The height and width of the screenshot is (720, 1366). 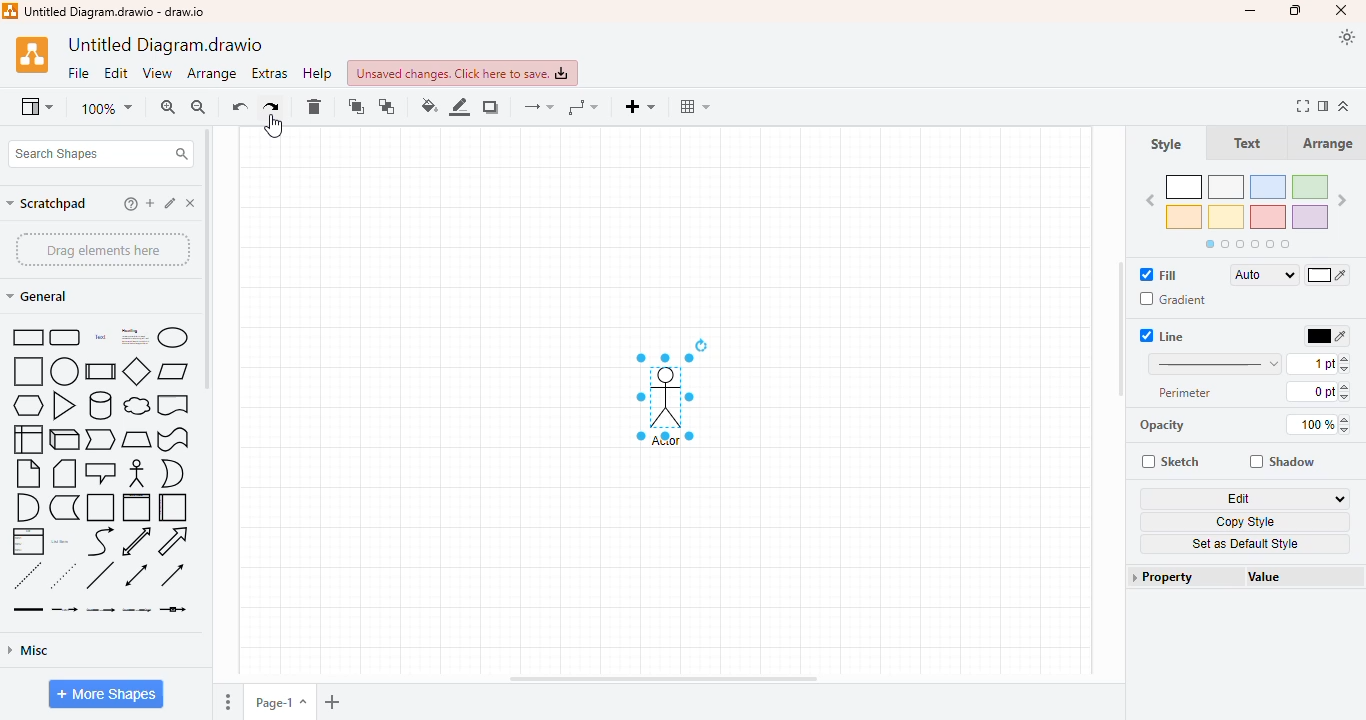 I want to click on item, so click(x=171, y=202).